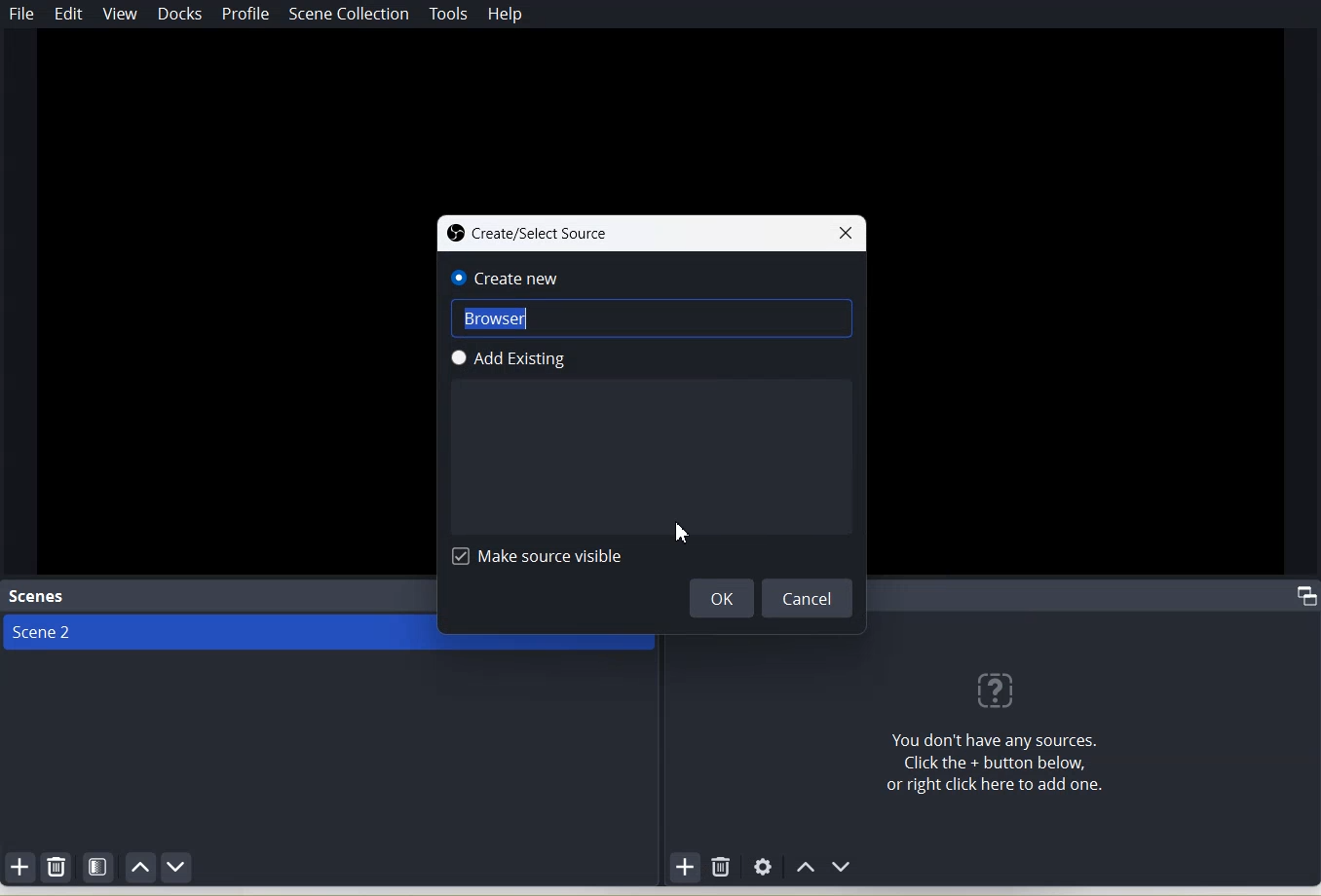 The width and height of the screenshot is (1321, 896). I want to click on Scene 2, so click(216, 633).